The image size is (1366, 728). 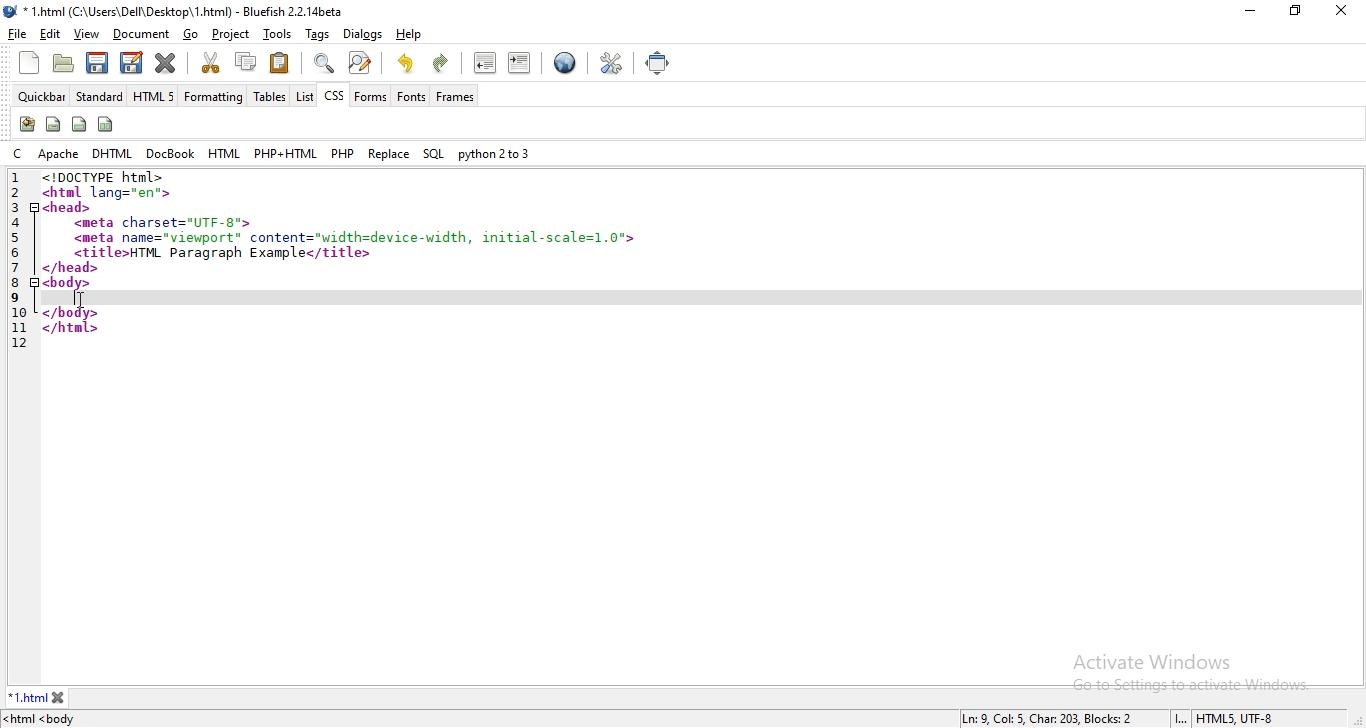 What do you see at coordinates (31, 63) in the screenshot?
I see `new file` at bounding box center [31, 63].